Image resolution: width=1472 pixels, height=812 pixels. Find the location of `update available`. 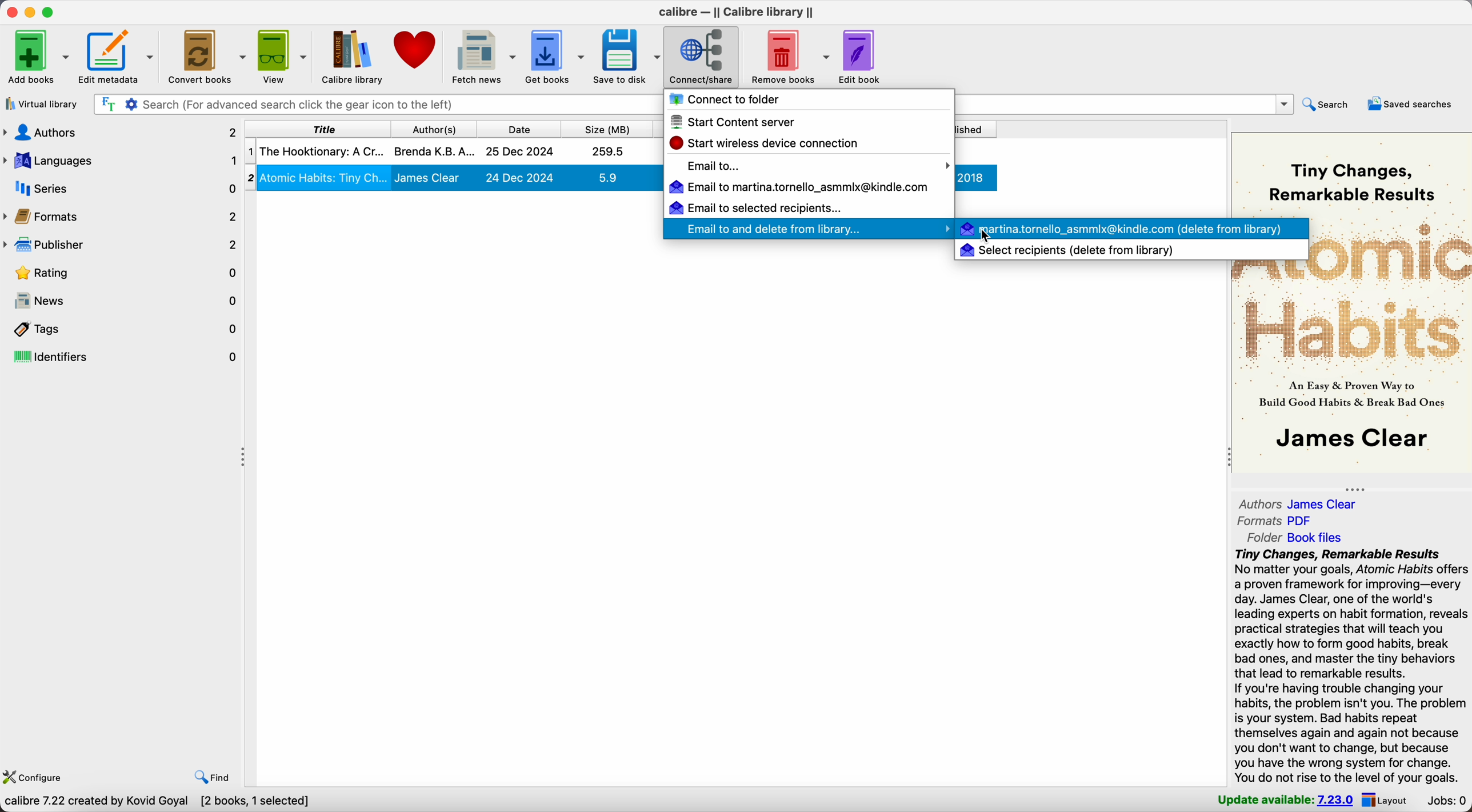

update available is located at coordinates (1286, 801).